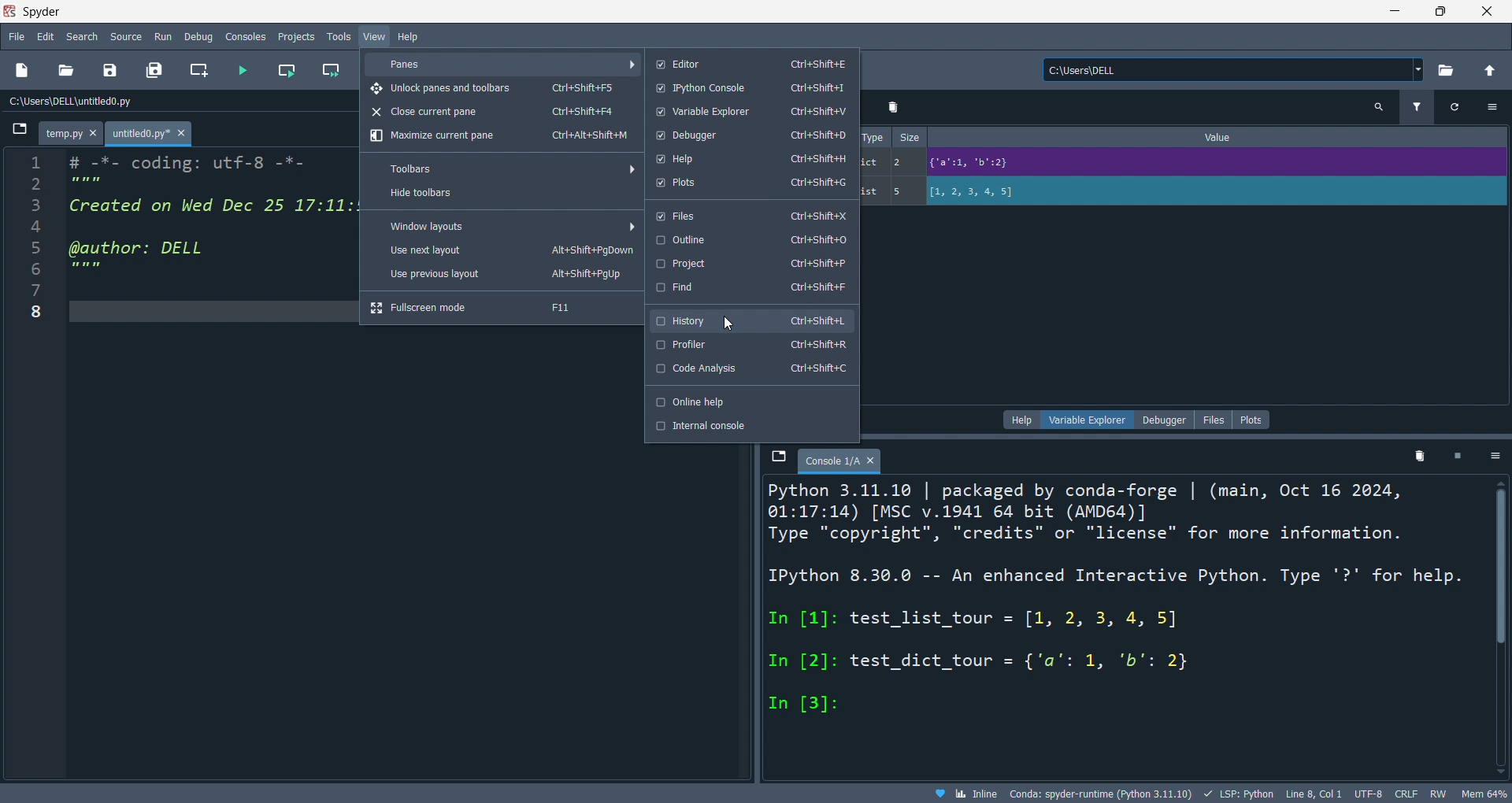  Describe the element at coordinates (285, 72) in the screenshot. I see `run cell` at that location.